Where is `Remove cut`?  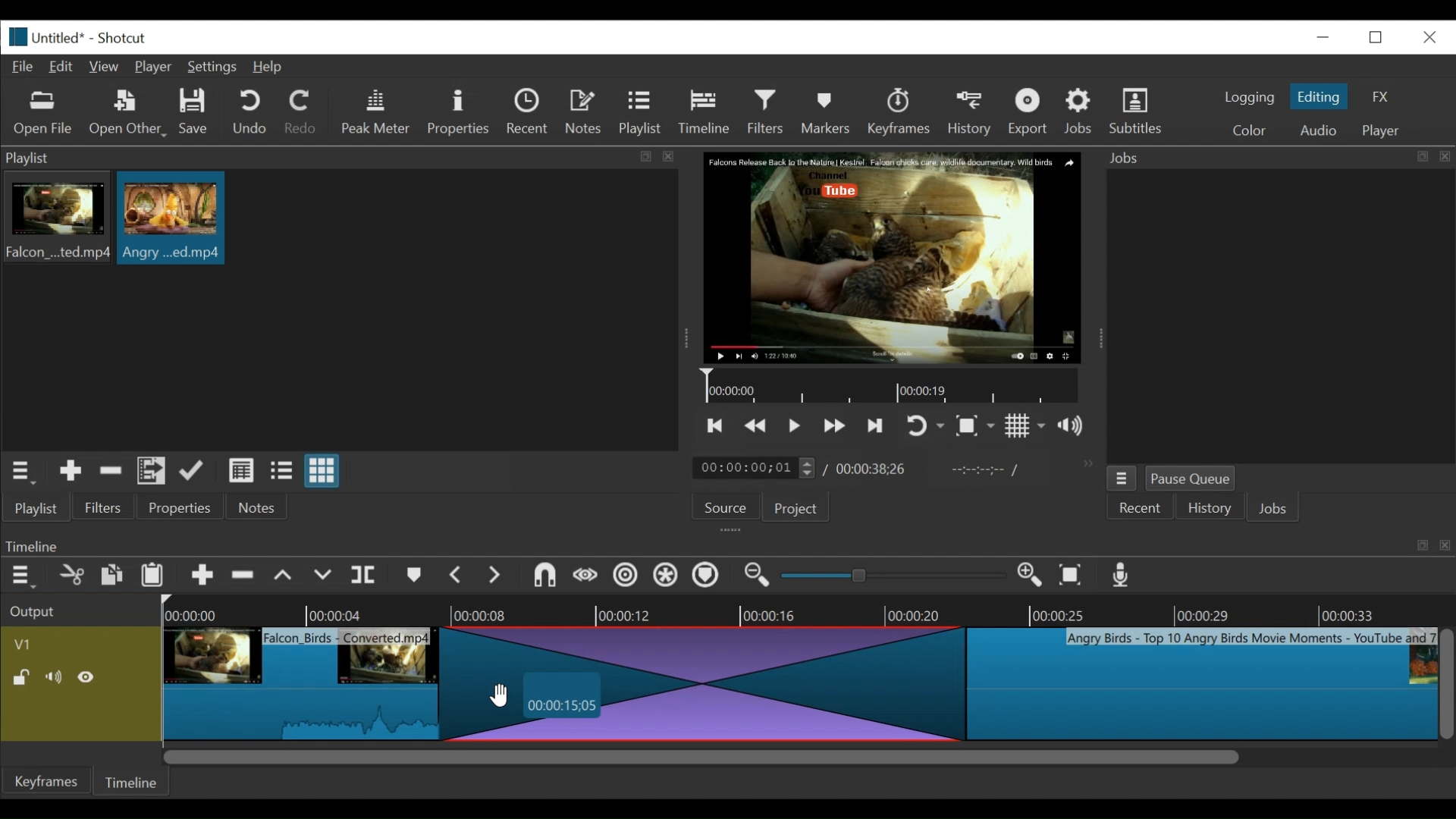
Remove cut is located at coordinates (245, 578).